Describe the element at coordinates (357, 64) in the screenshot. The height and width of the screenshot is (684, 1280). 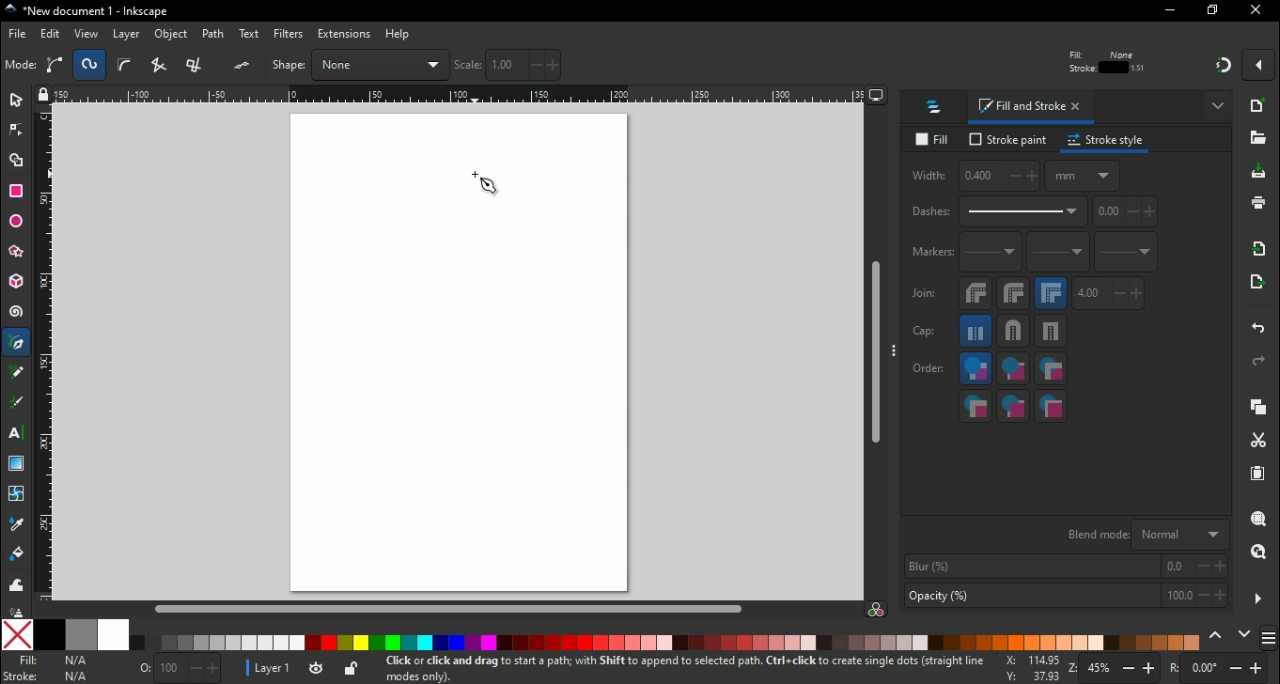
I see `shape` at that location.